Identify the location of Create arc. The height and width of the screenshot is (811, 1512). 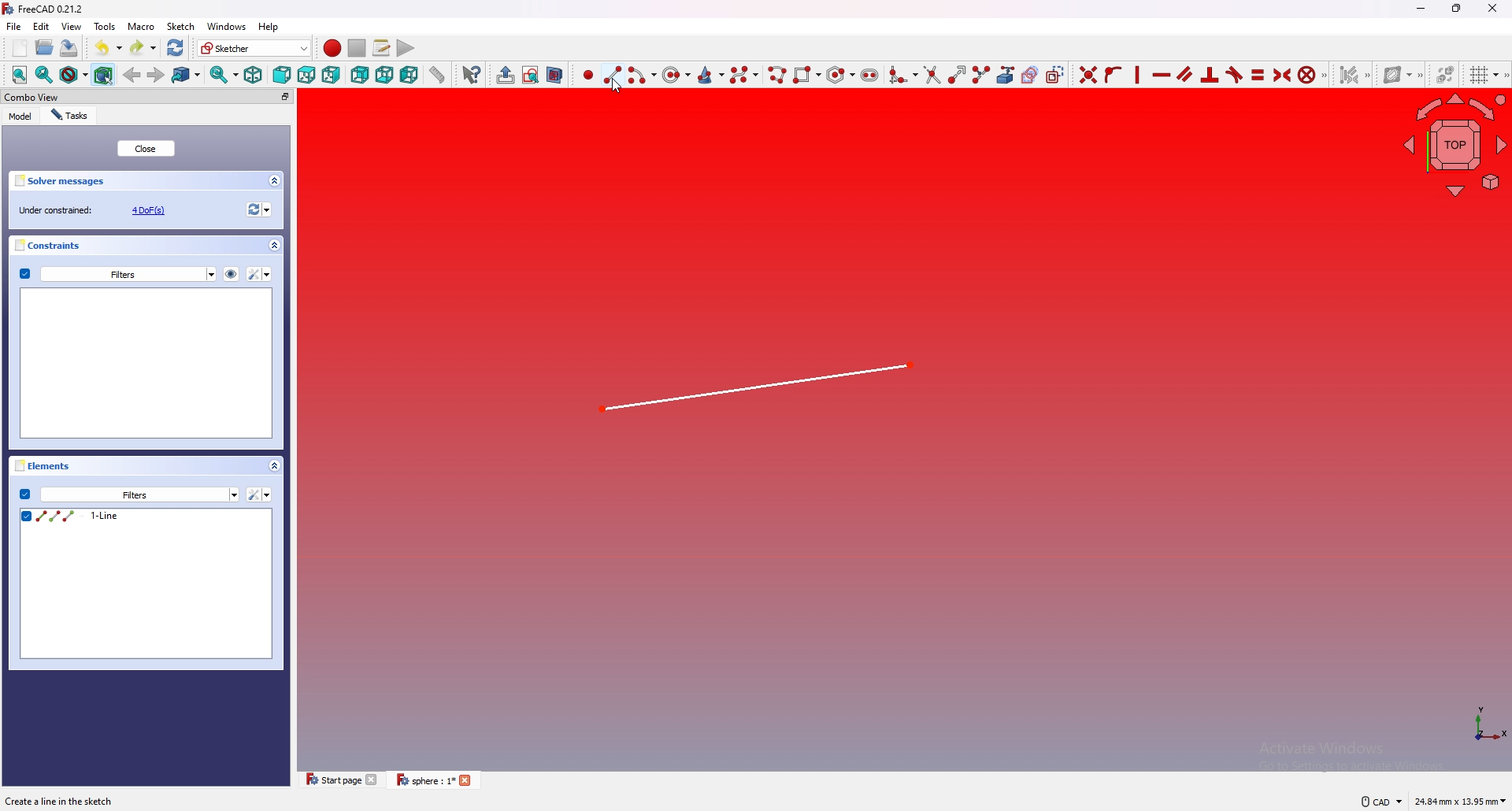
(642, 75).